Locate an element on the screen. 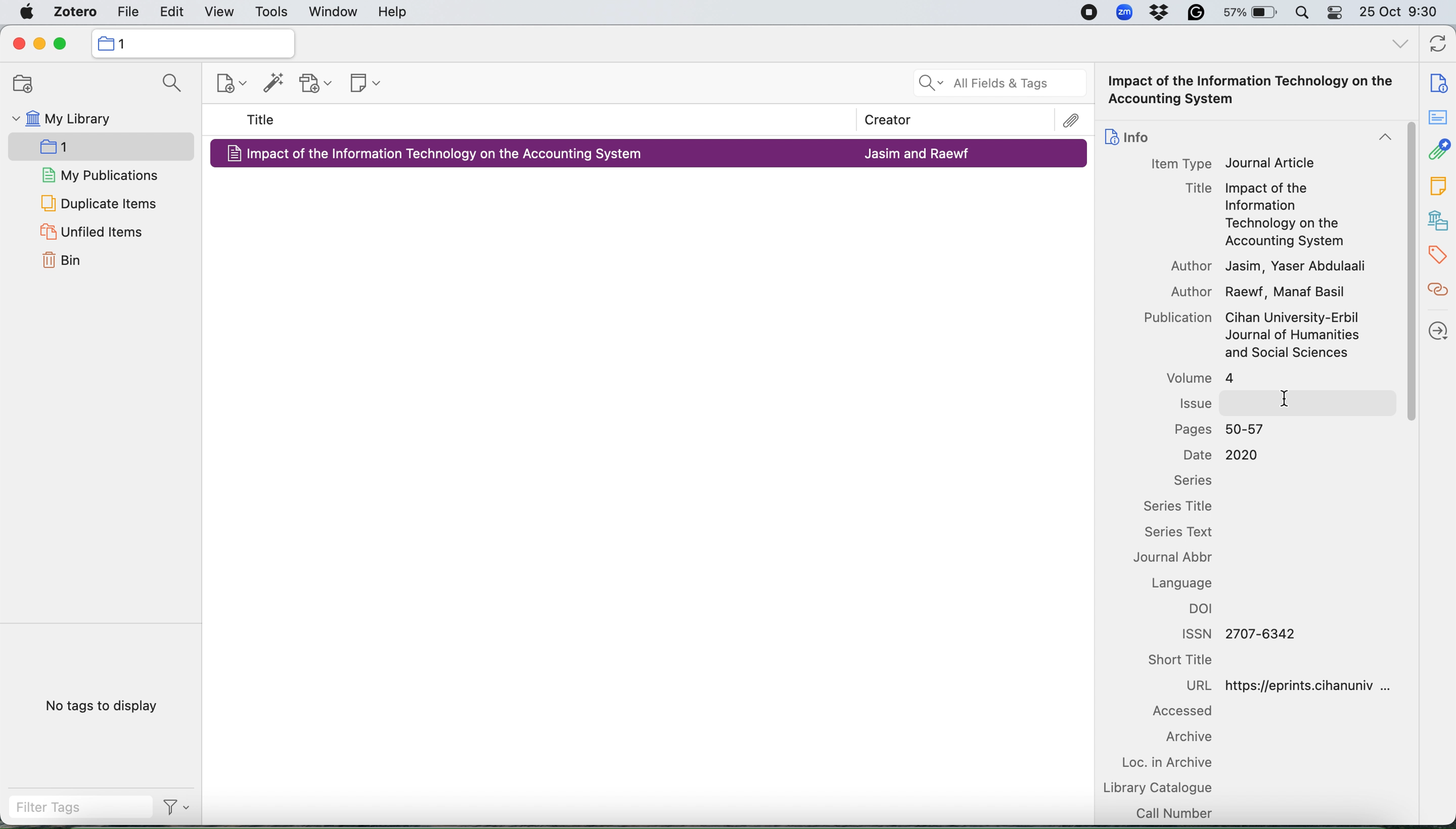 The height and width of the screenshot is (829, 1456). abstract is located at coordinates (1441, 121).